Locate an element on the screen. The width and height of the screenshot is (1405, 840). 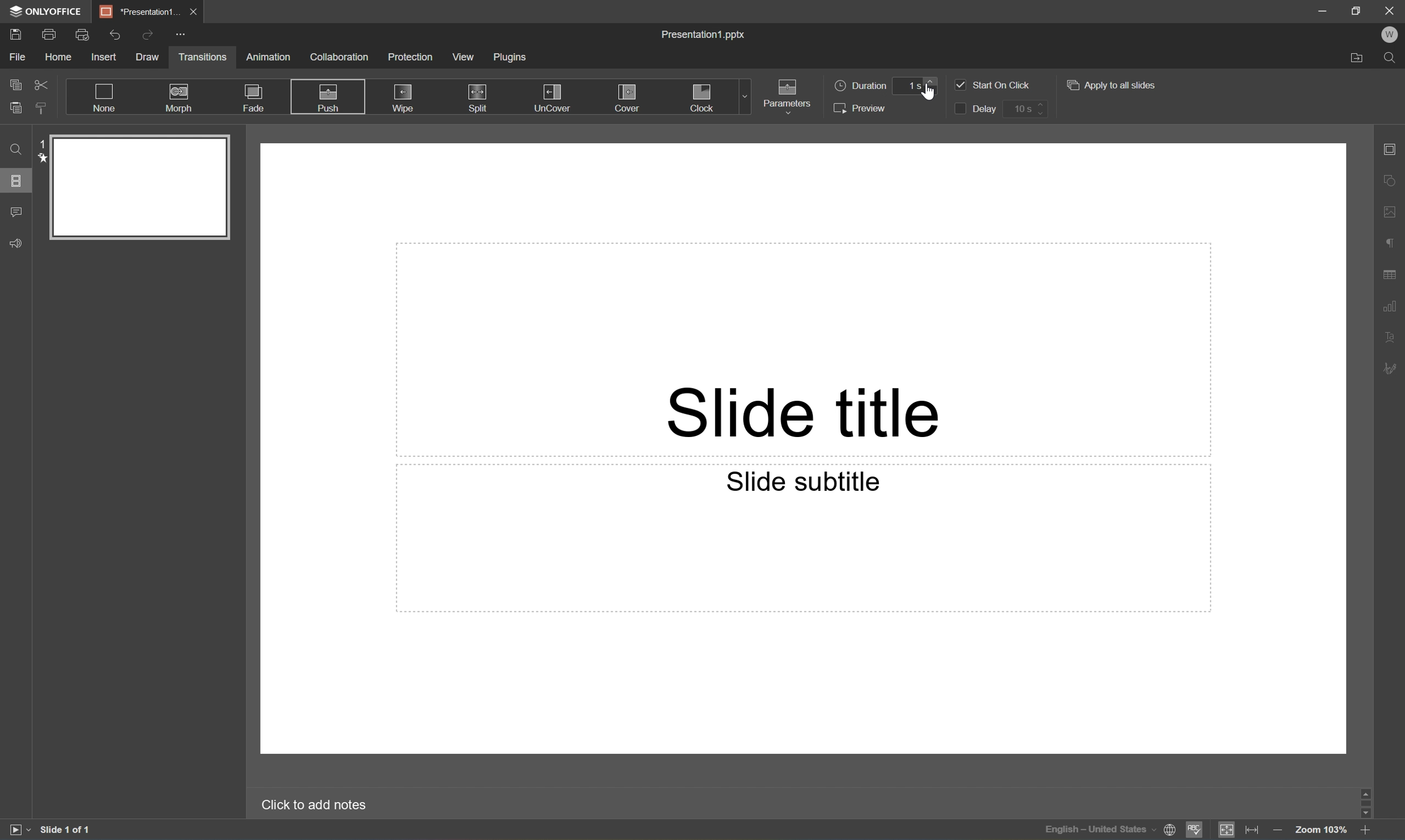
Copy style is located at coordinates (41, 109).